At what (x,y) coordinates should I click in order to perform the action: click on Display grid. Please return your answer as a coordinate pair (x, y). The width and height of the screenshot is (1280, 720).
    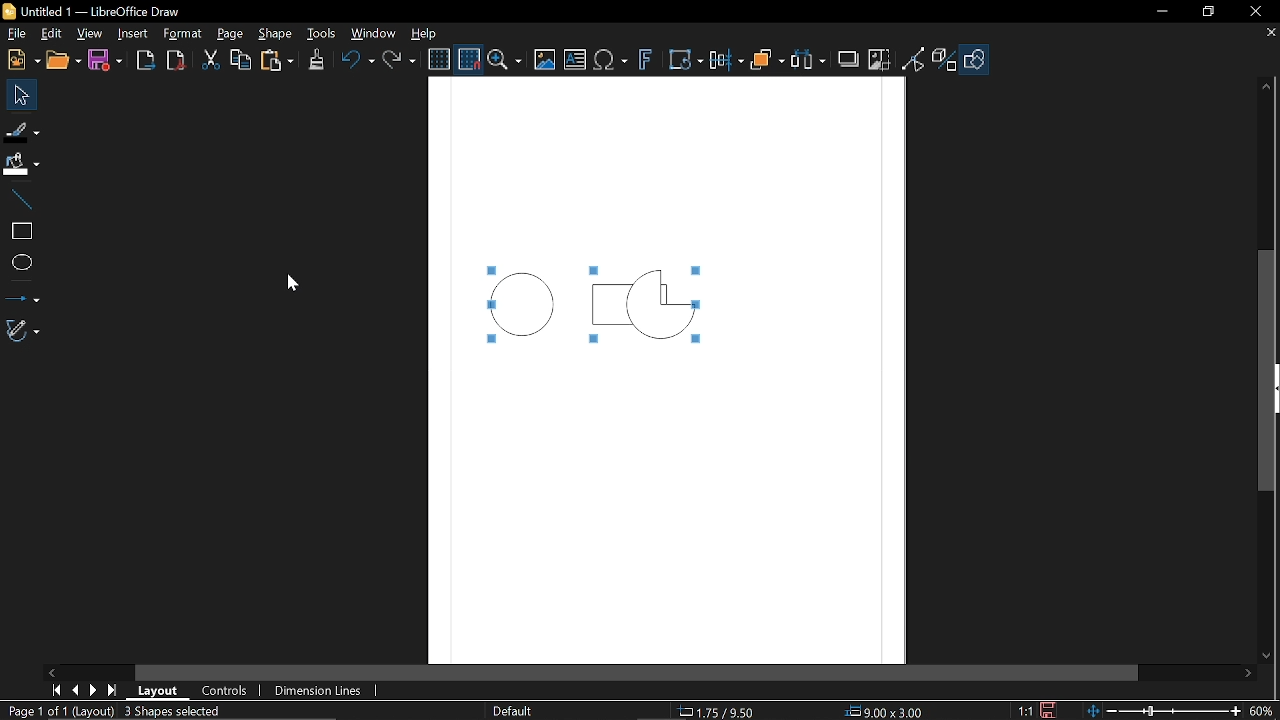
    Looking at the image, I should click on (438, 59).